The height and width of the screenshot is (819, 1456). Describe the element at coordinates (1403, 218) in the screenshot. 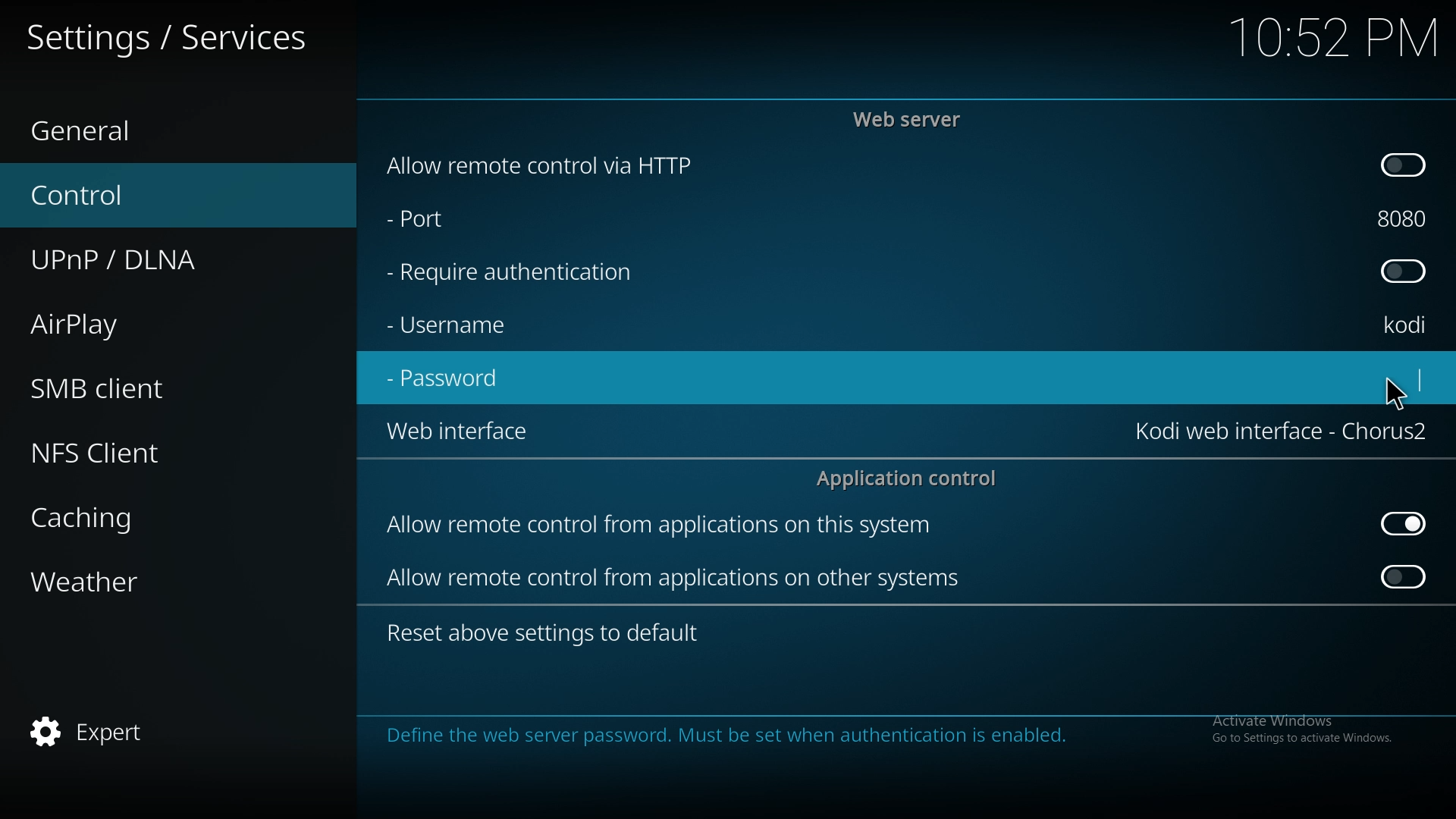

I see `port number` at that location.